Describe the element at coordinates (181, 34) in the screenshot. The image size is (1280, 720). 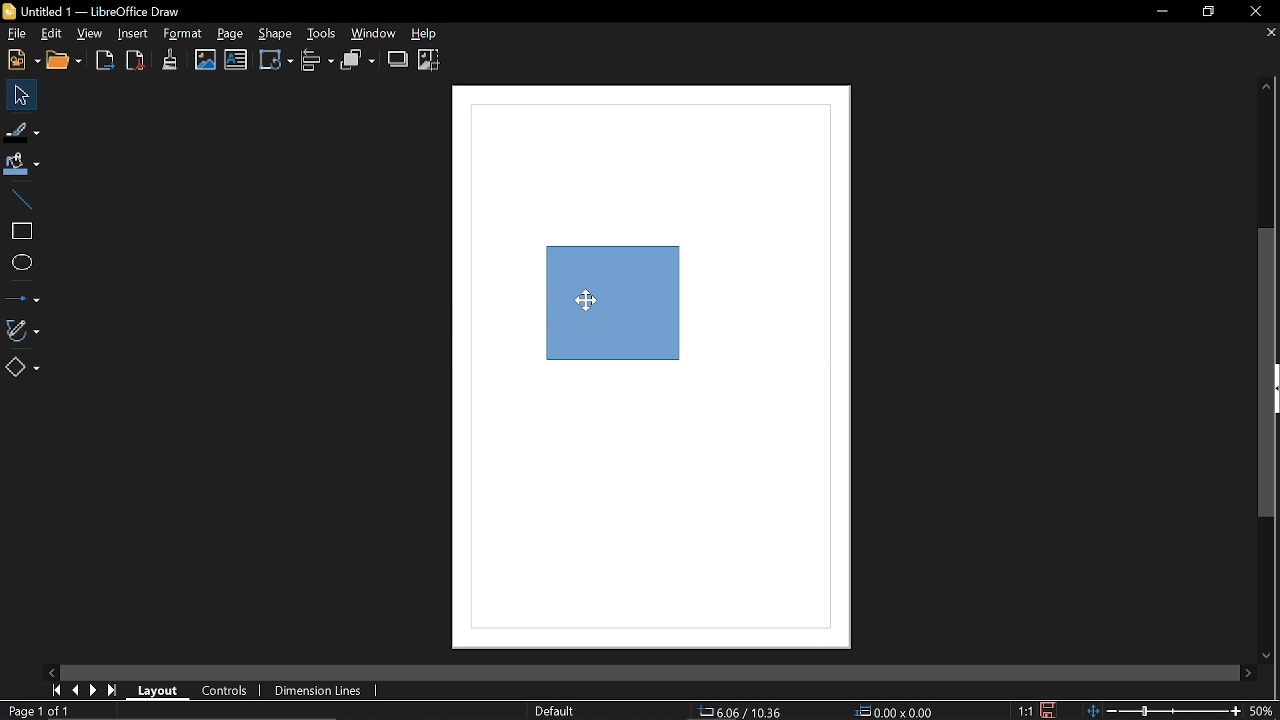
I see `Format` at that location.